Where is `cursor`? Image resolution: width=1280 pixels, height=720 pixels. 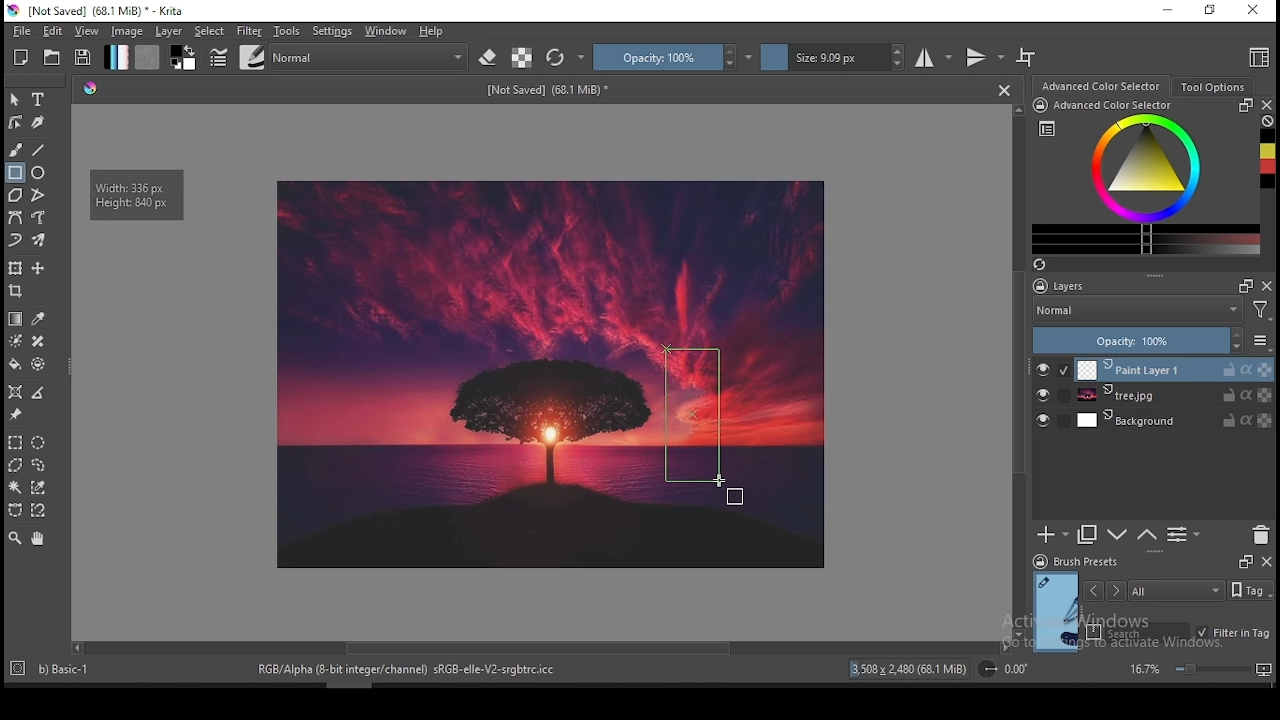
cursor is located at coordinates (729, 489).